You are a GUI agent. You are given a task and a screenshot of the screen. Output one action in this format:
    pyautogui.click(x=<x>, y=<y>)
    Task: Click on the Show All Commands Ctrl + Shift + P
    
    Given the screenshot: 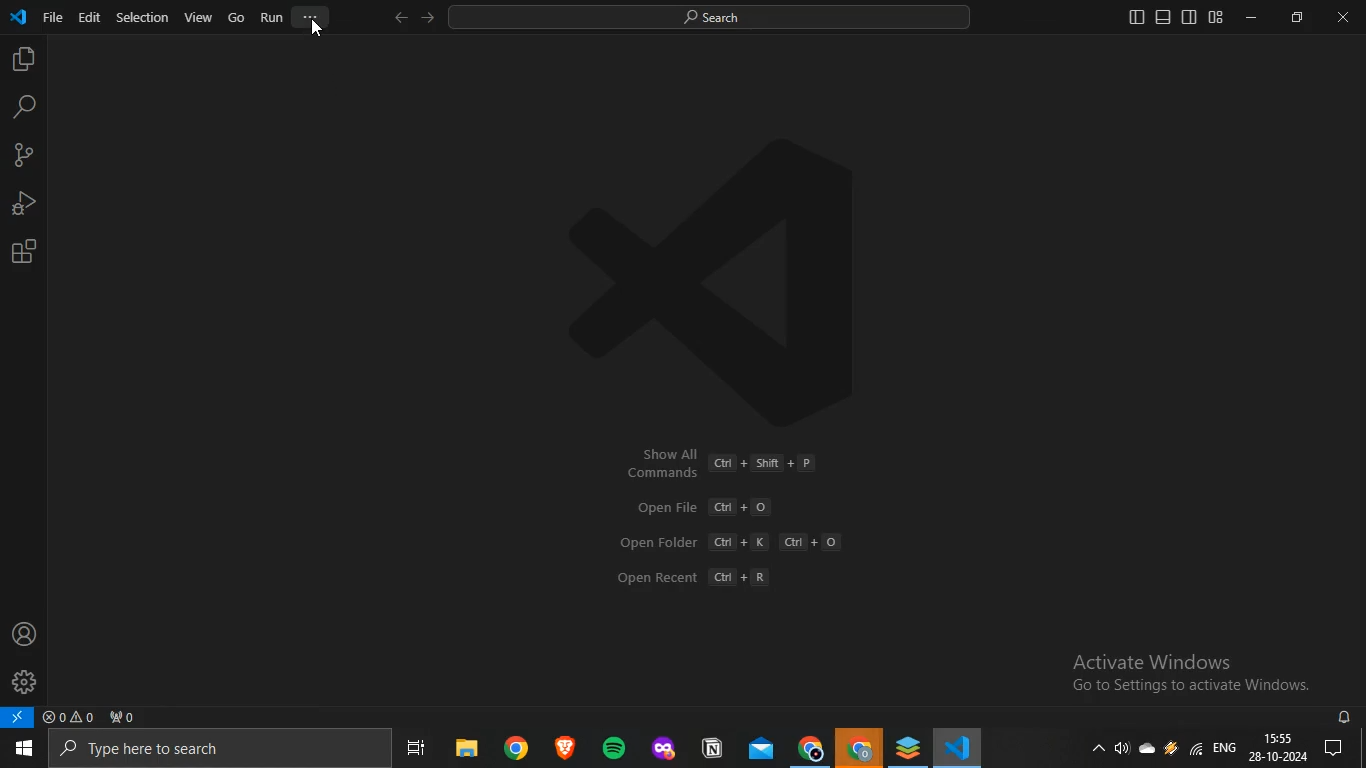 What is the action you would take?
    pyautogui.click(x=721, y=463)
    